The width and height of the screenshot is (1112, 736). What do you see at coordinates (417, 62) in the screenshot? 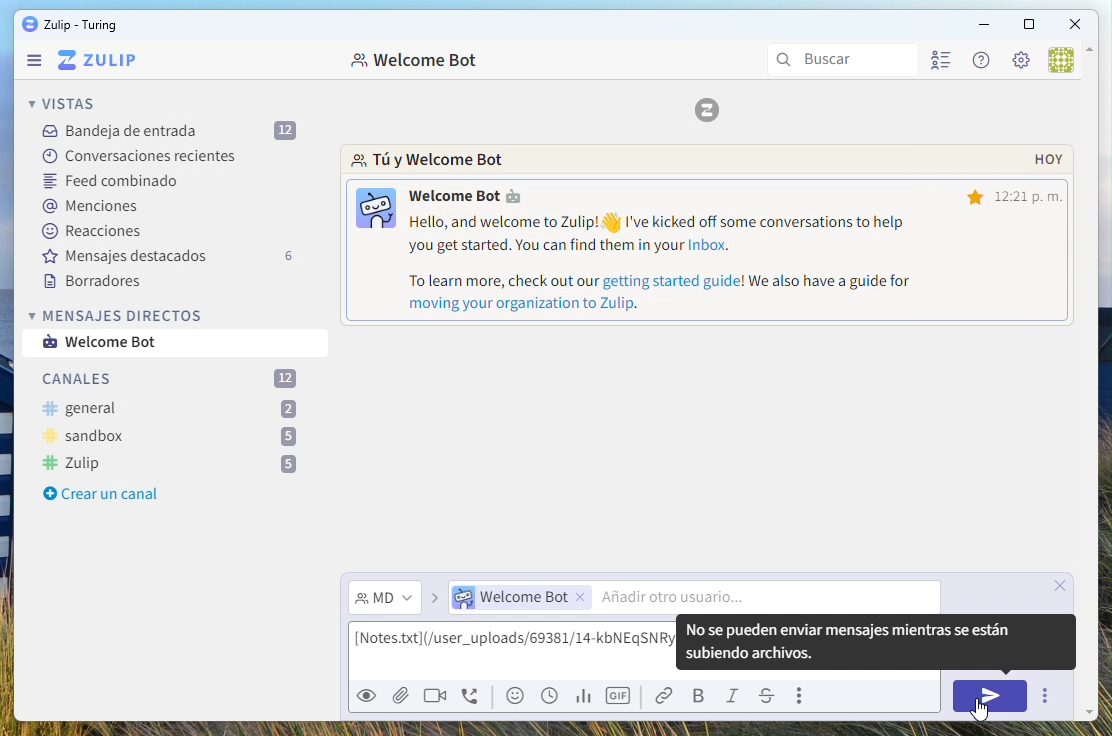
I see `Chat name` at bounding box center [417, 62].